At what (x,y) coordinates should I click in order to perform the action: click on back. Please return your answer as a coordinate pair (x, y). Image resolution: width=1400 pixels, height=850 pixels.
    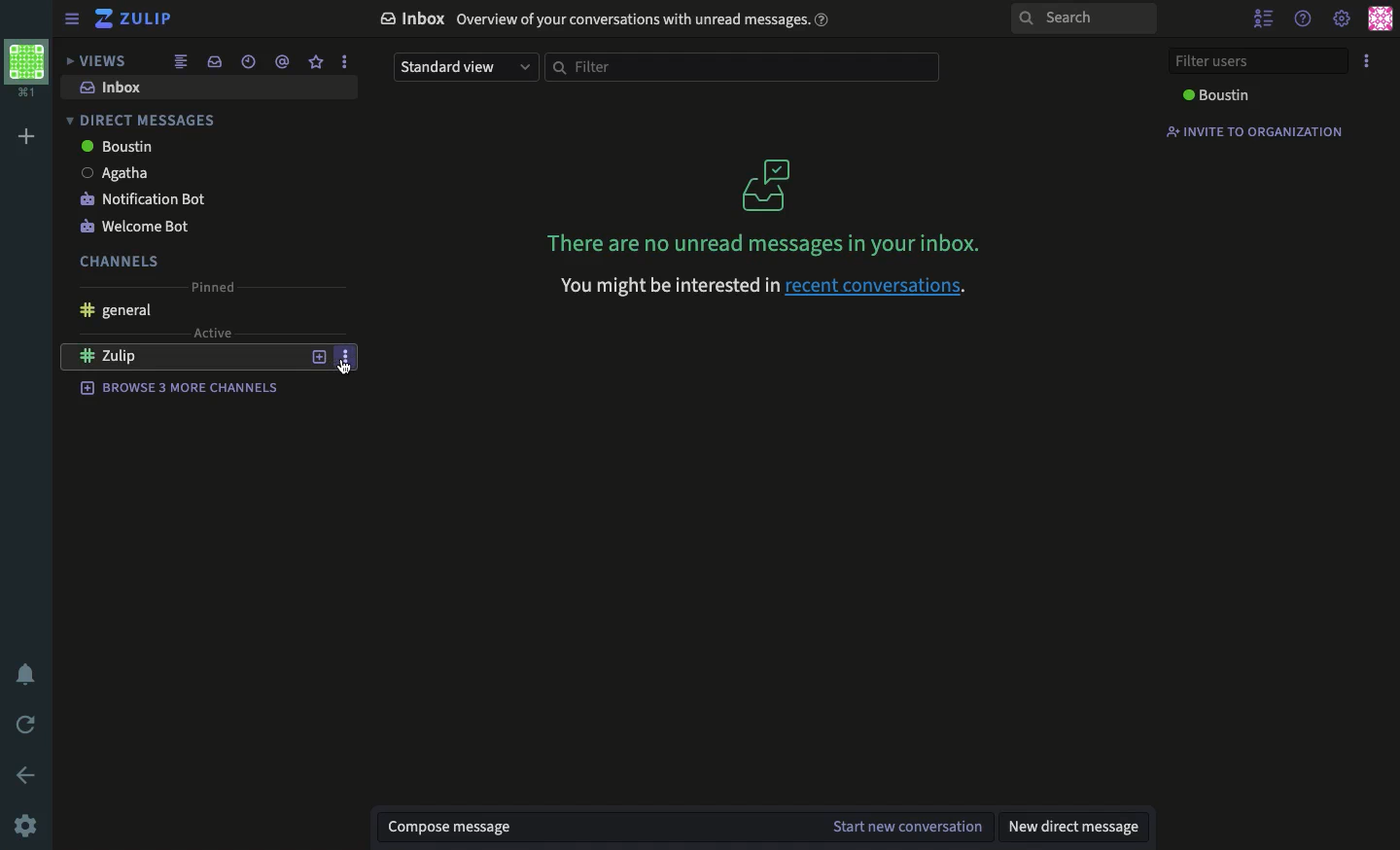
    Looking at the image, I should click on (27, 776).